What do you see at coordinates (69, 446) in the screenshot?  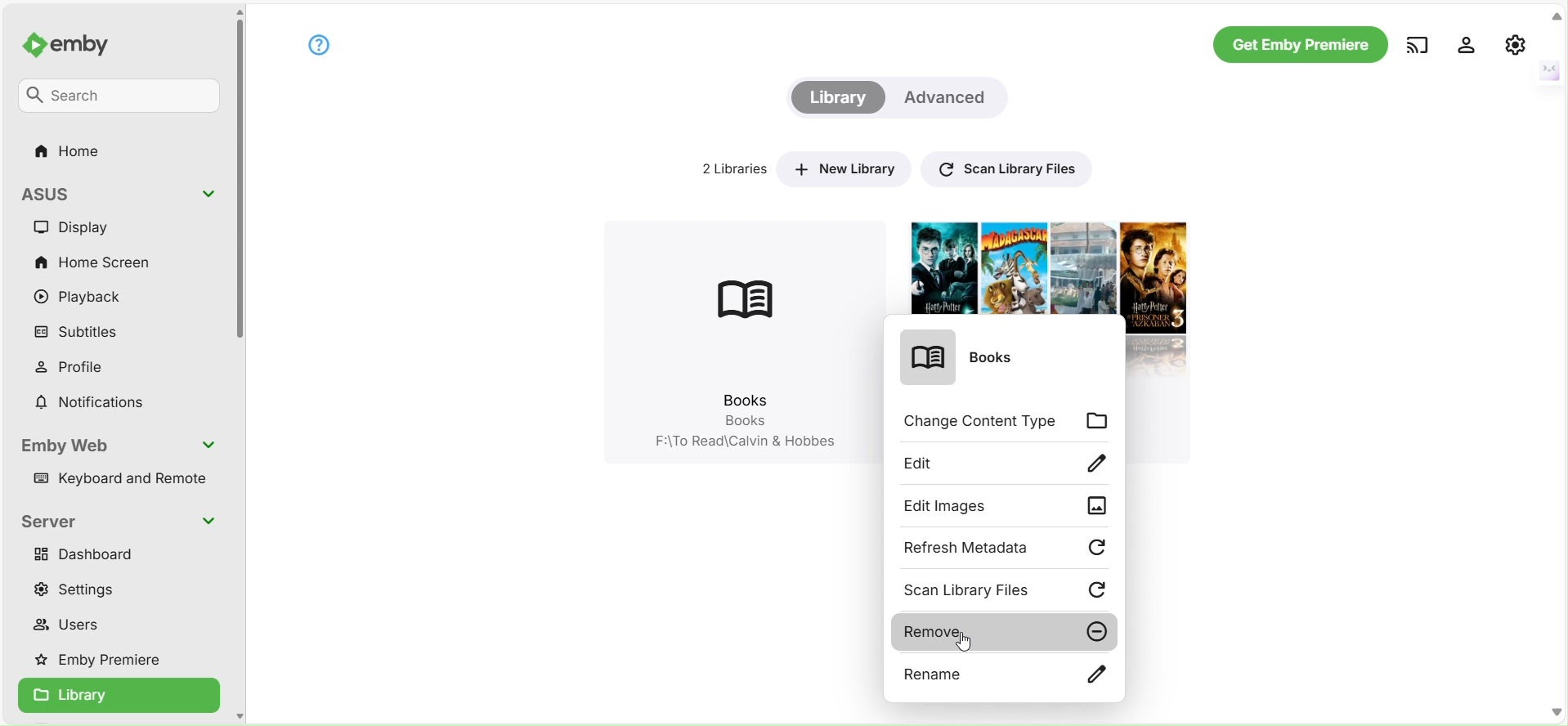 I see `Emby Web` at bounding box center [69, 446].